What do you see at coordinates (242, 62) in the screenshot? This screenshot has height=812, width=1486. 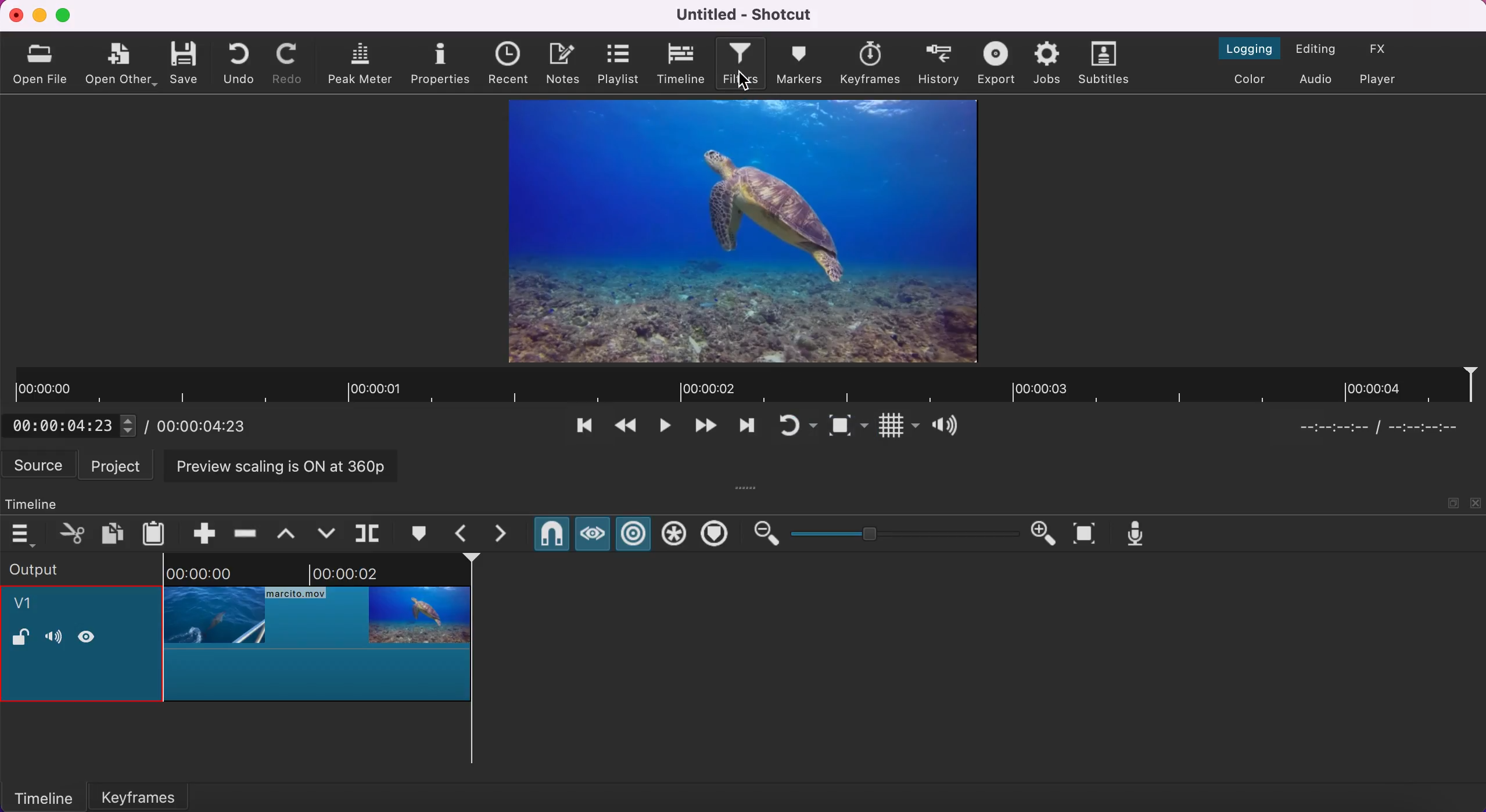 I see `undo` at bounding box center [242, 62].